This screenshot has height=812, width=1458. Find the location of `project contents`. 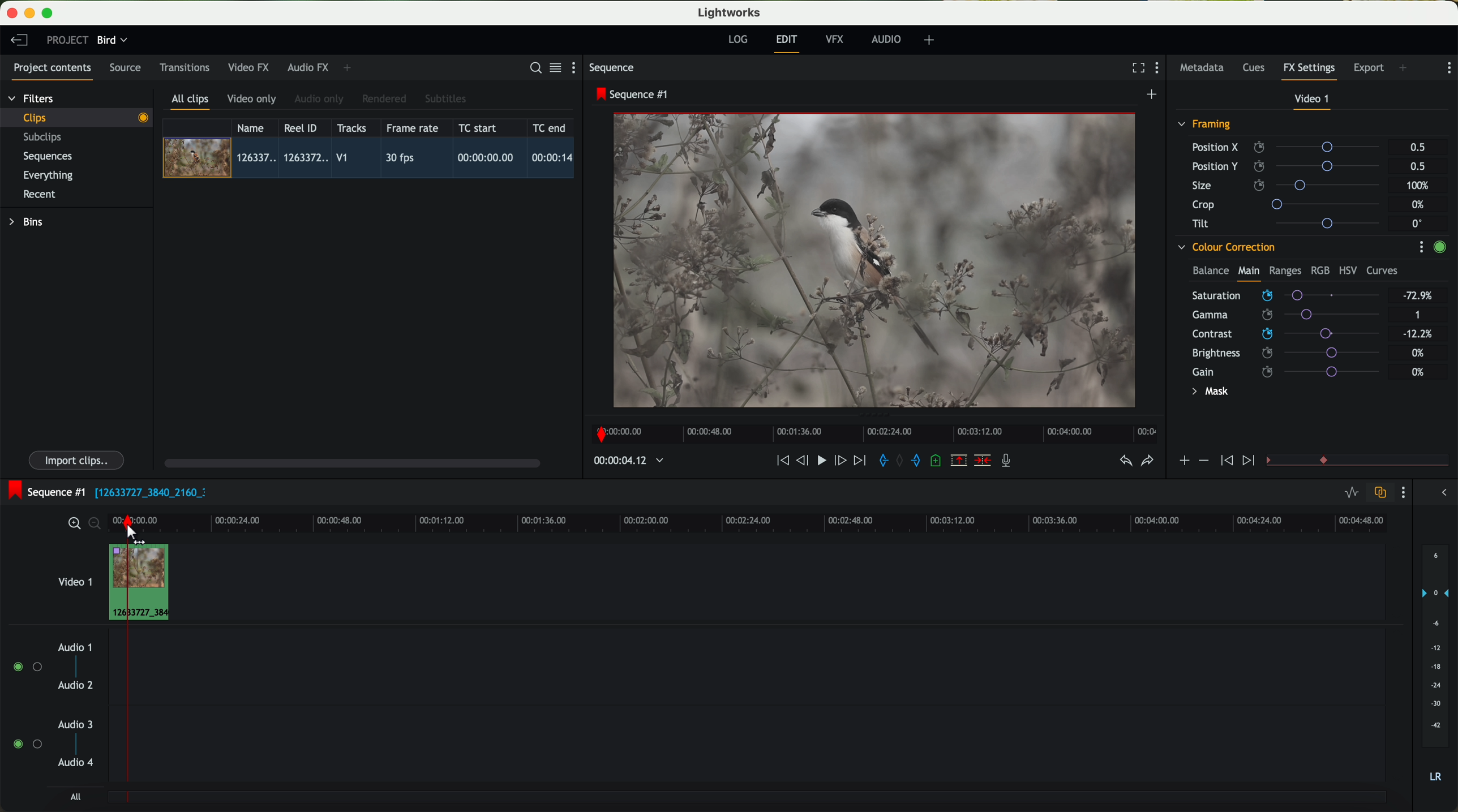

project contents is located at coordinates (53, 71).